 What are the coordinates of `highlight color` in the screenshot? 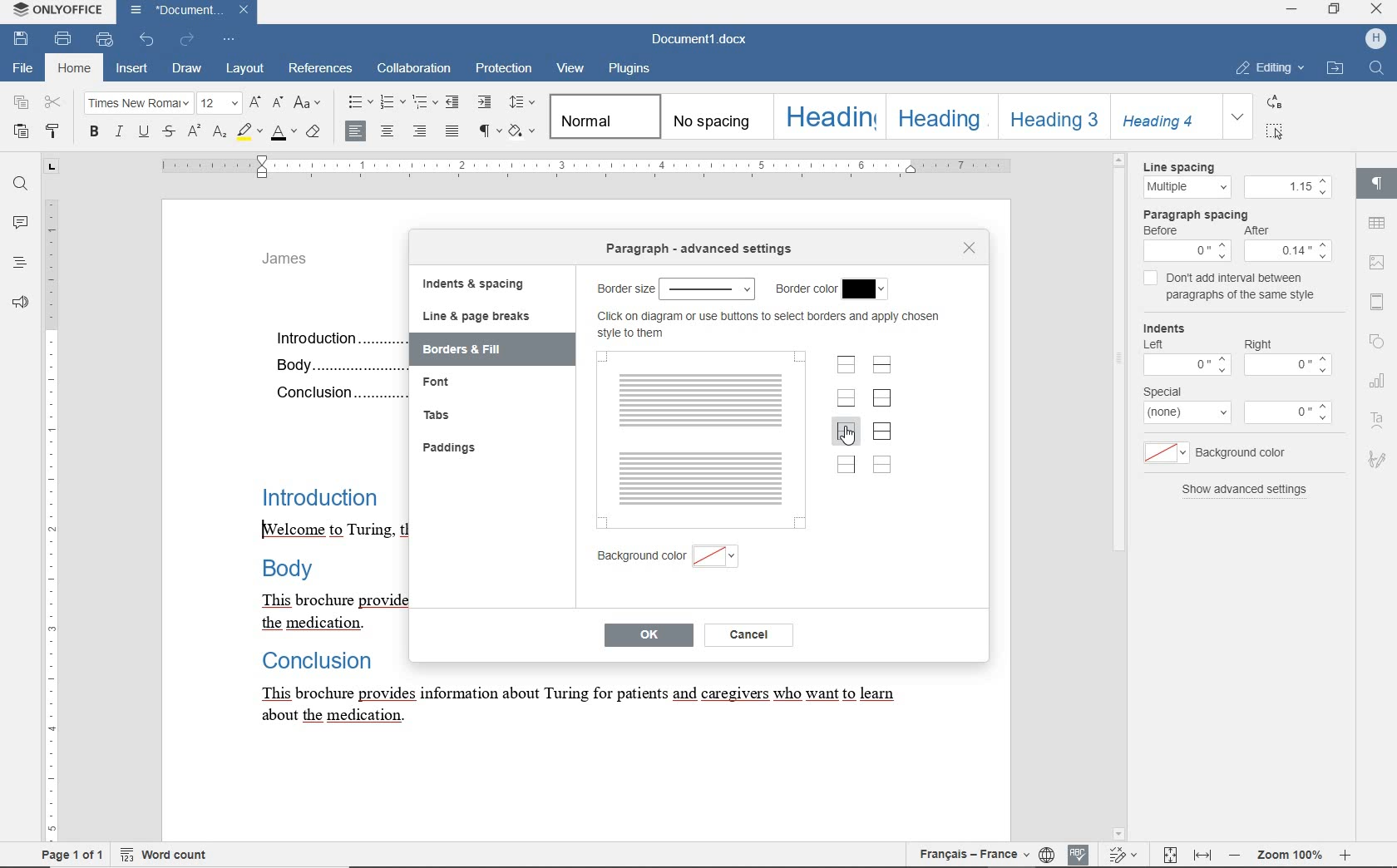 It's located at (250, 133).